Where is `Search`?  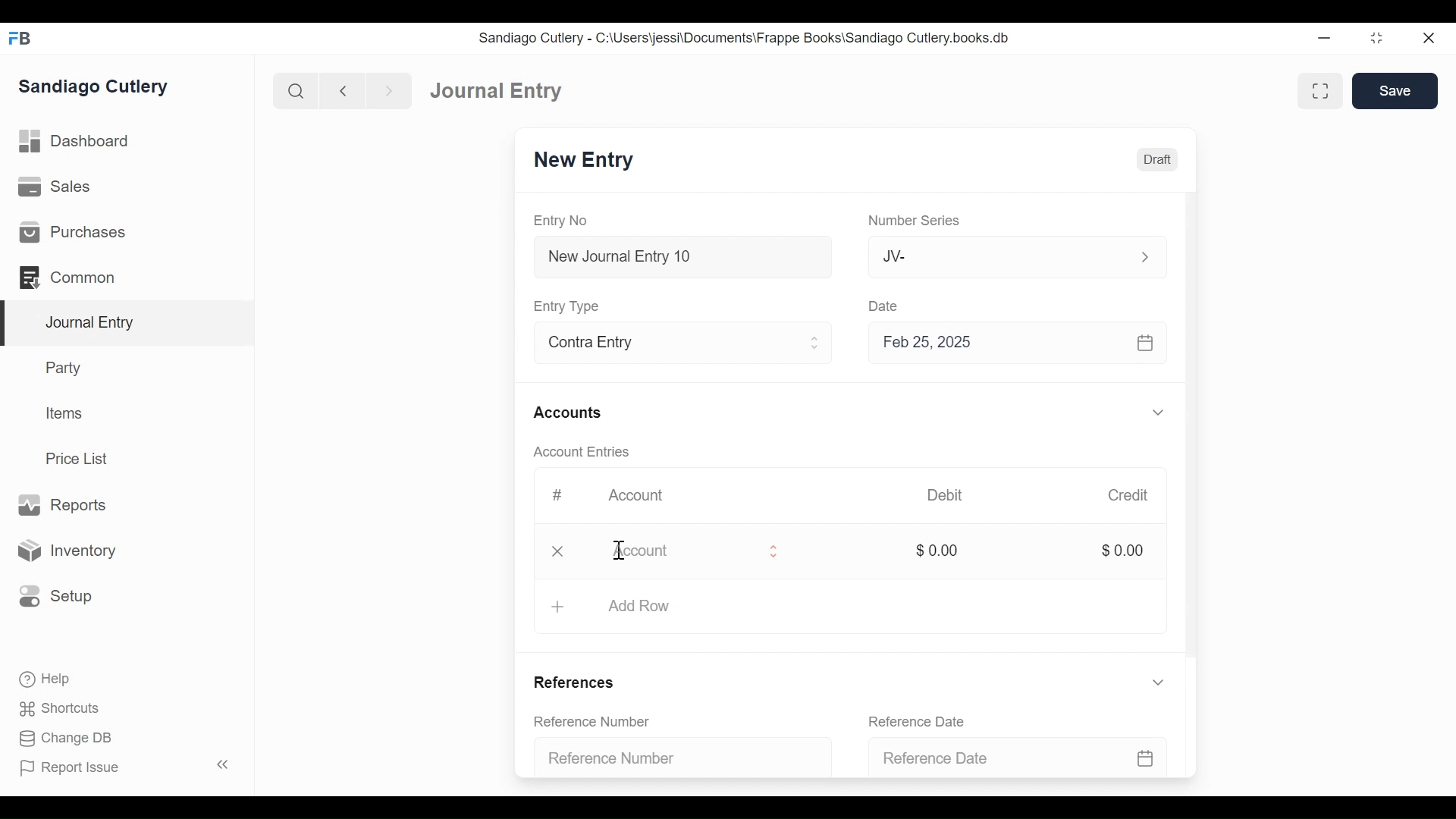
Search is located at coordinates (297, 90).